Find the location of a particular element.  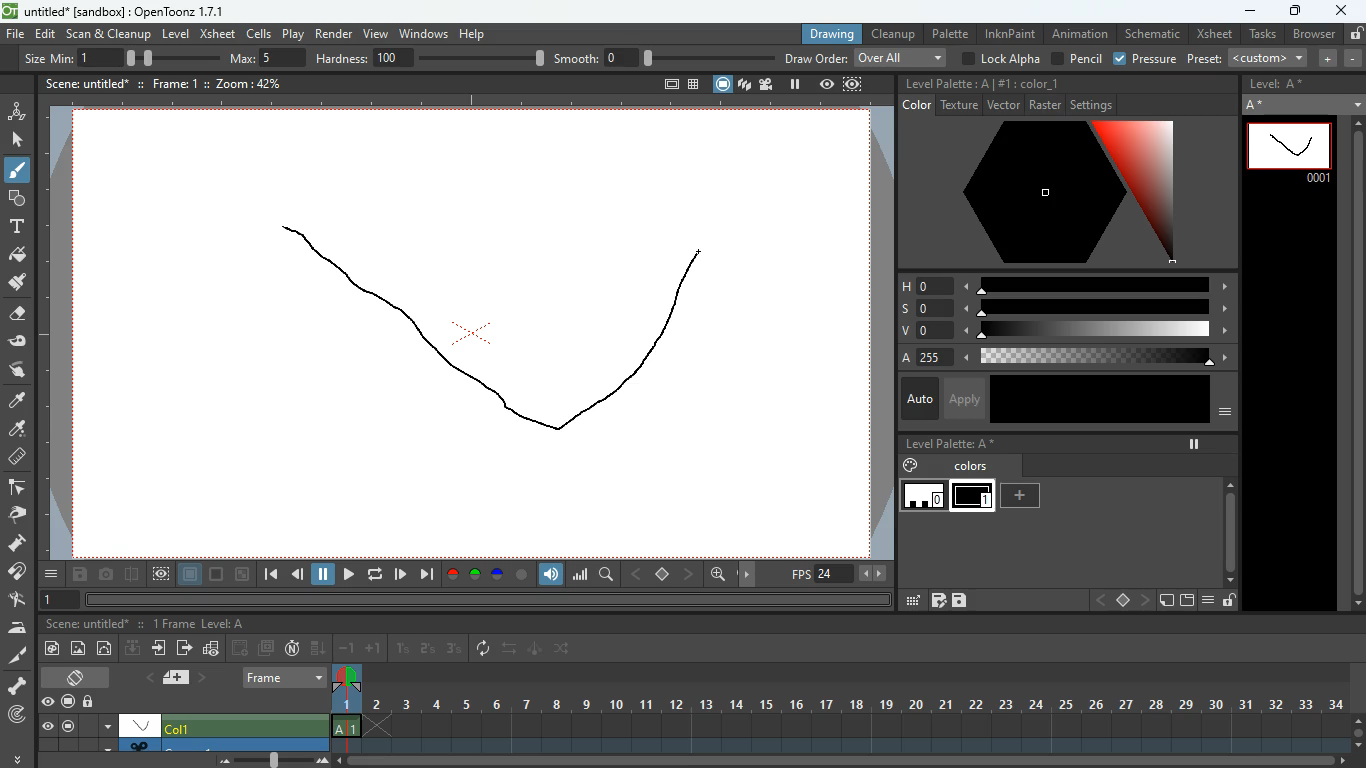

animate is located at coordinates (17, 110).